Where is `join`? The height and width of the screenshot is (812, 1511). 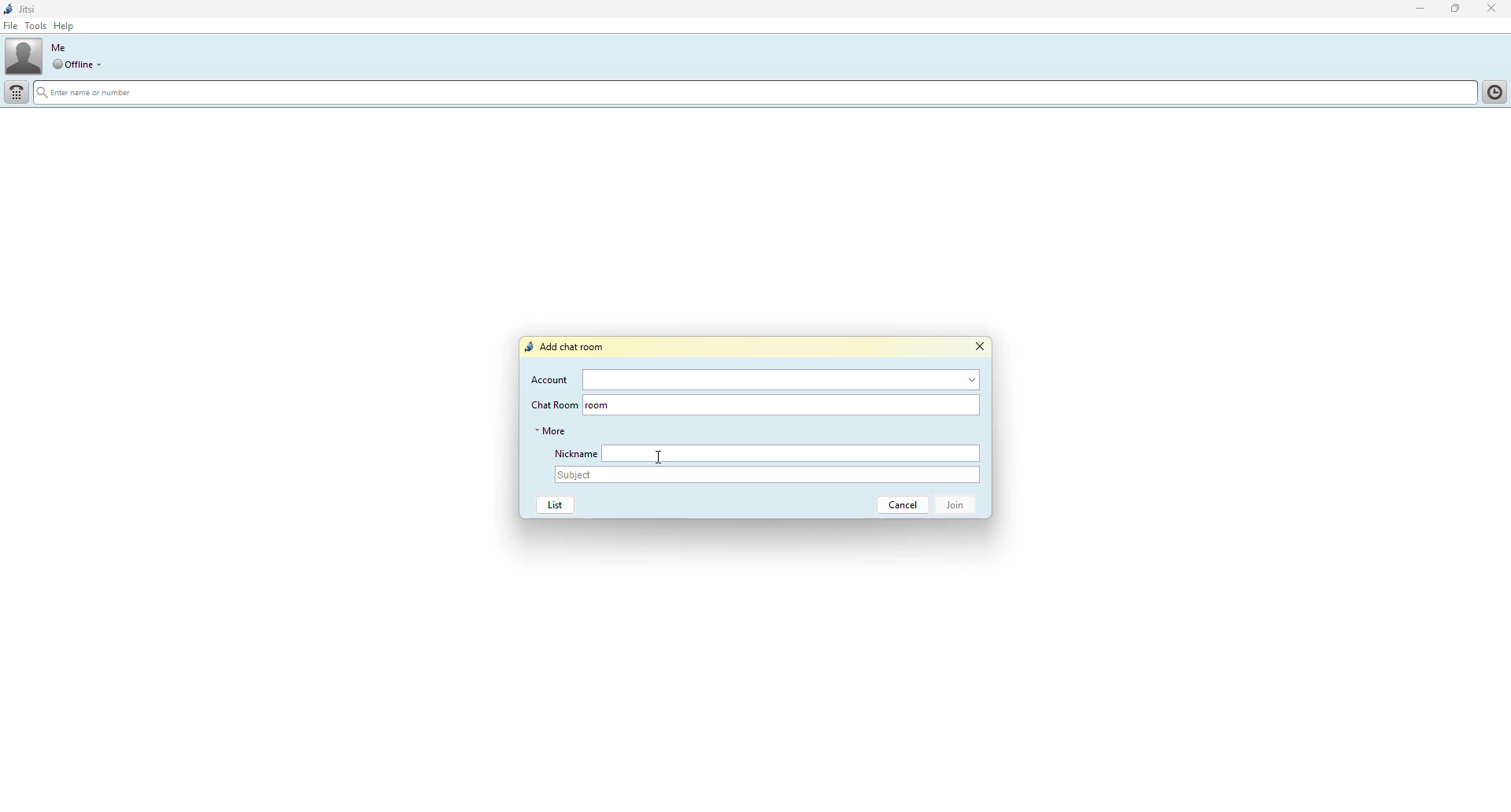 join is located at coordinates (960, 506).